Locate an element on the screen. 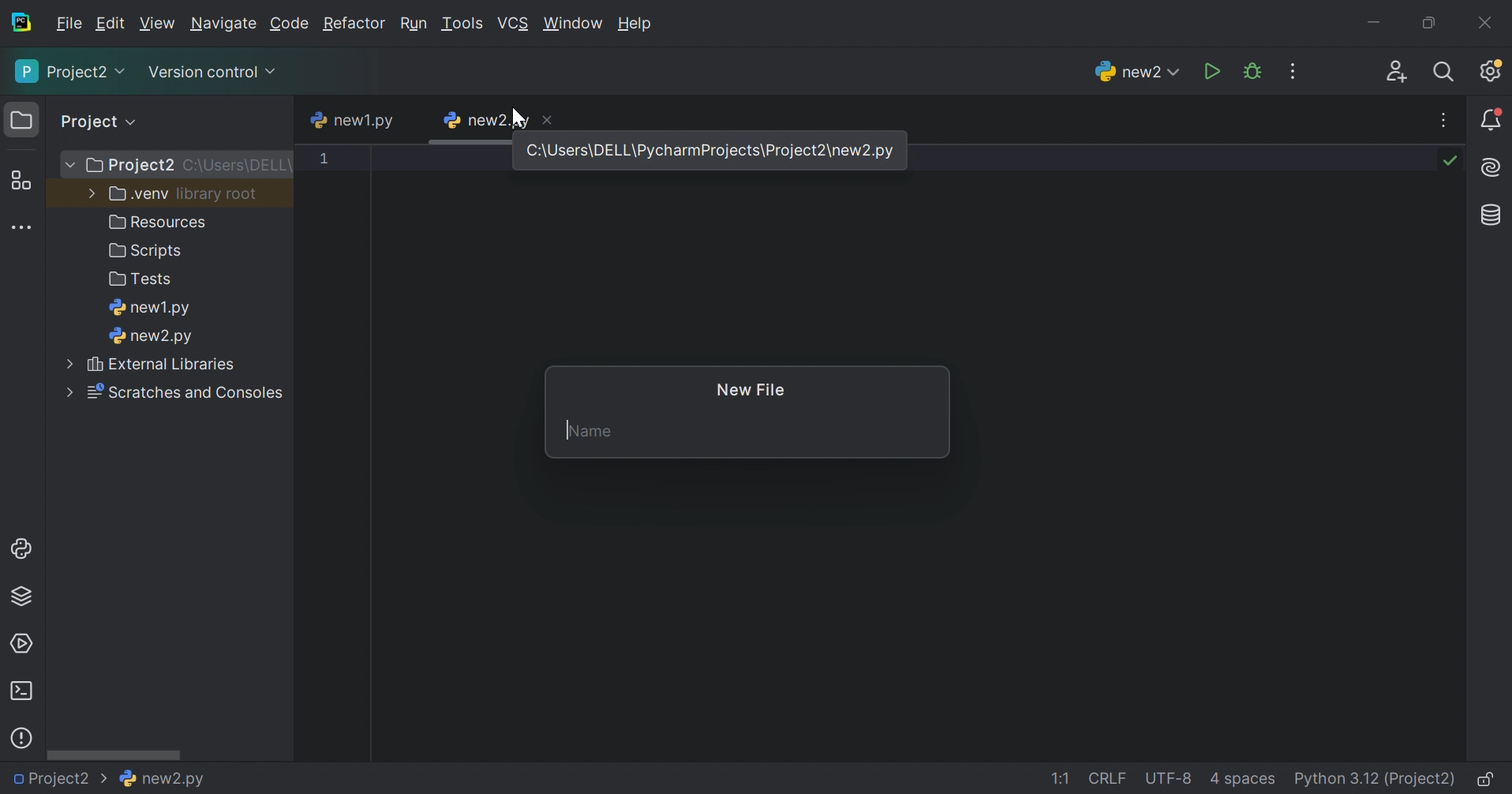  UTF-8 is located at coordinates (1169, 778).